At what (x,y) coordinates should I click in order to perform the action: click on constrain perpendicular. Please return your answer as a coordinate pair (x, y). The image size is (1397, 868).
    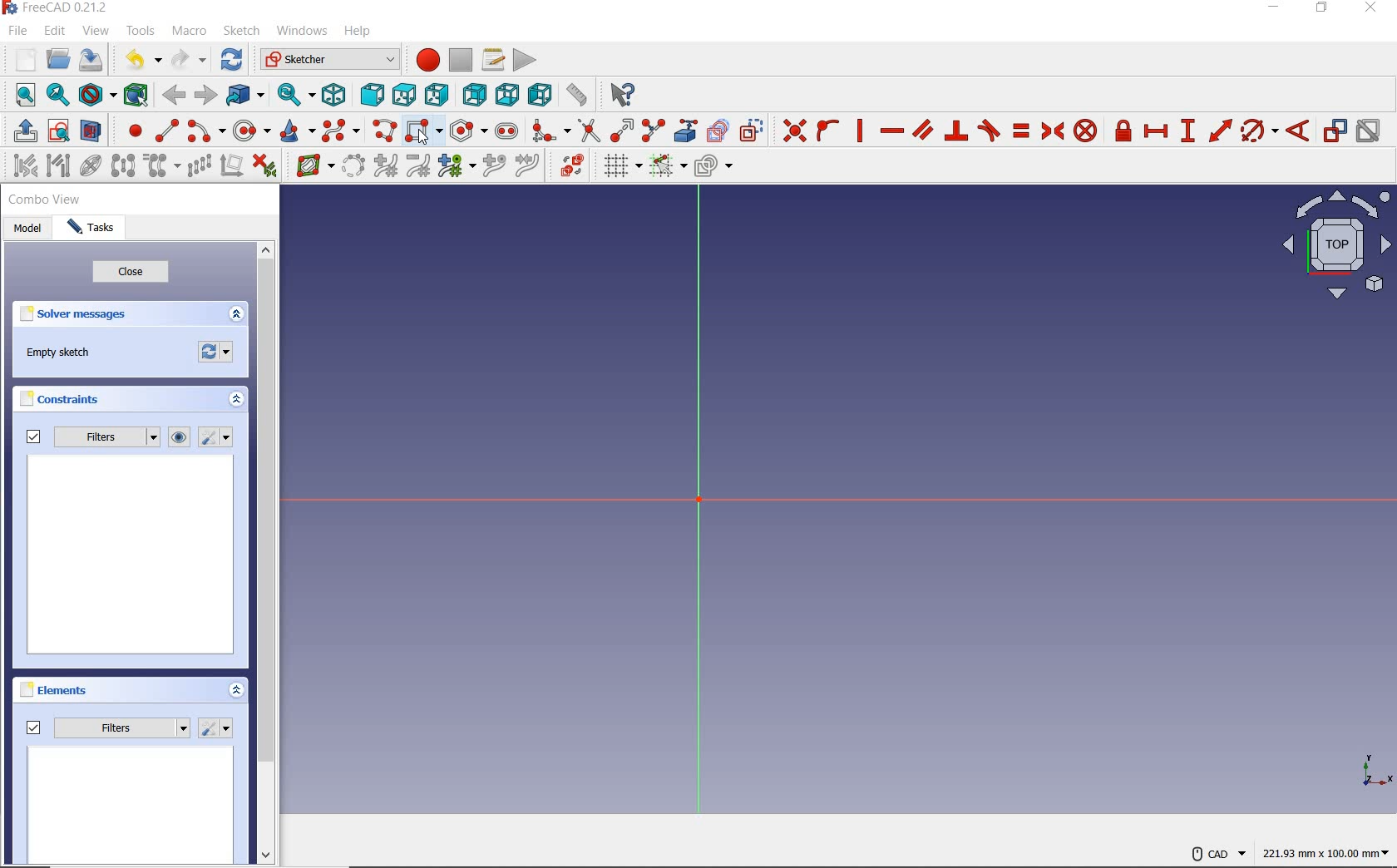
    Looking at the image, I should click on (956, 131).